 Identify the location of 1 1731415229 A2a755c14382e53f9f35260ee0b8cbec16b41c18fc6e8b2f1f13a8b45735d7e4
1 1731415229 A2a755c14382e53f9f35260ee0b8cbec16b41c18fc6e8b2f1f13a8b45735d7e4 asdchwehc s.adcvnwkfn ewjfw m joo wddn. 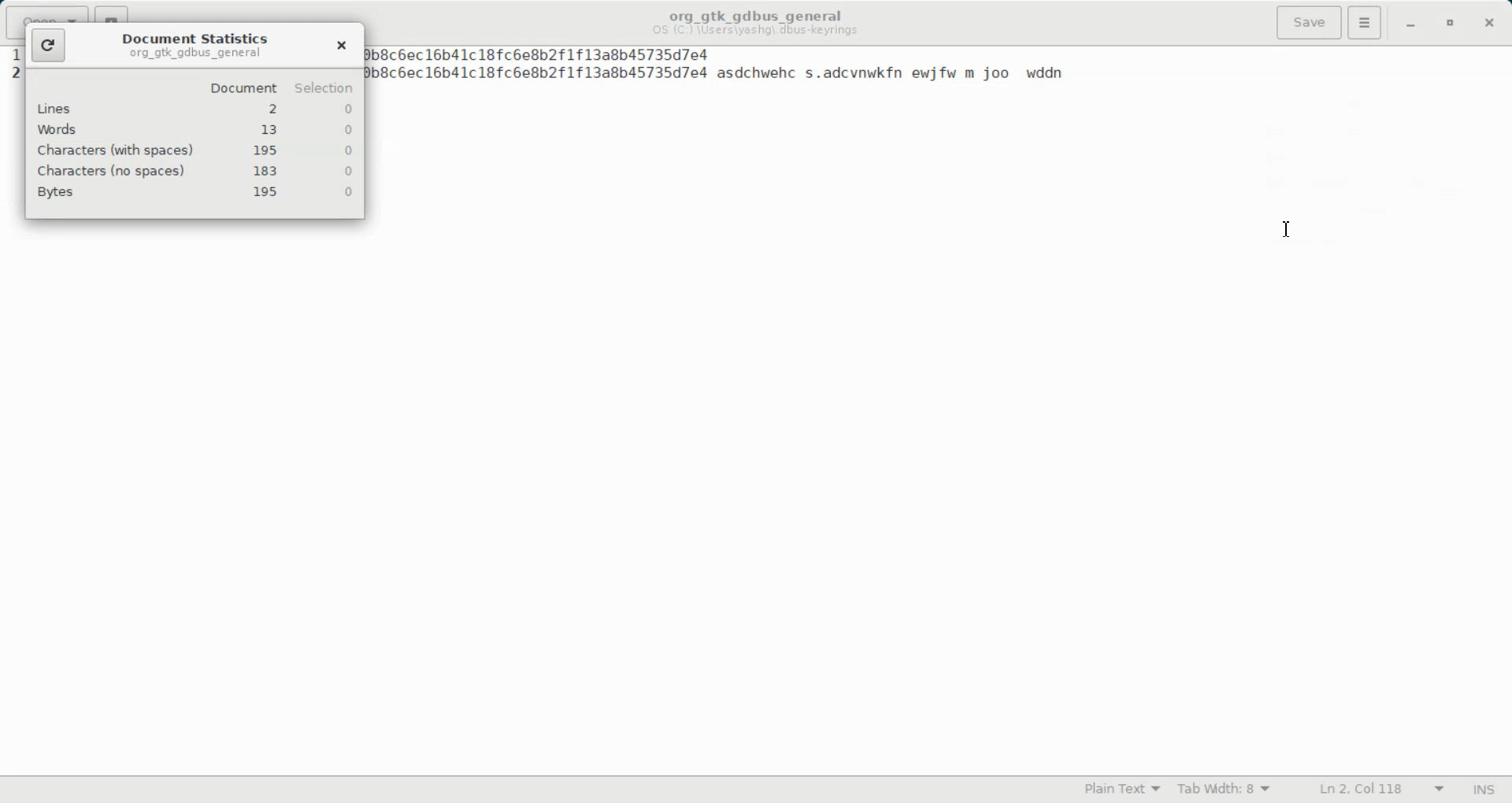
(718, 67).